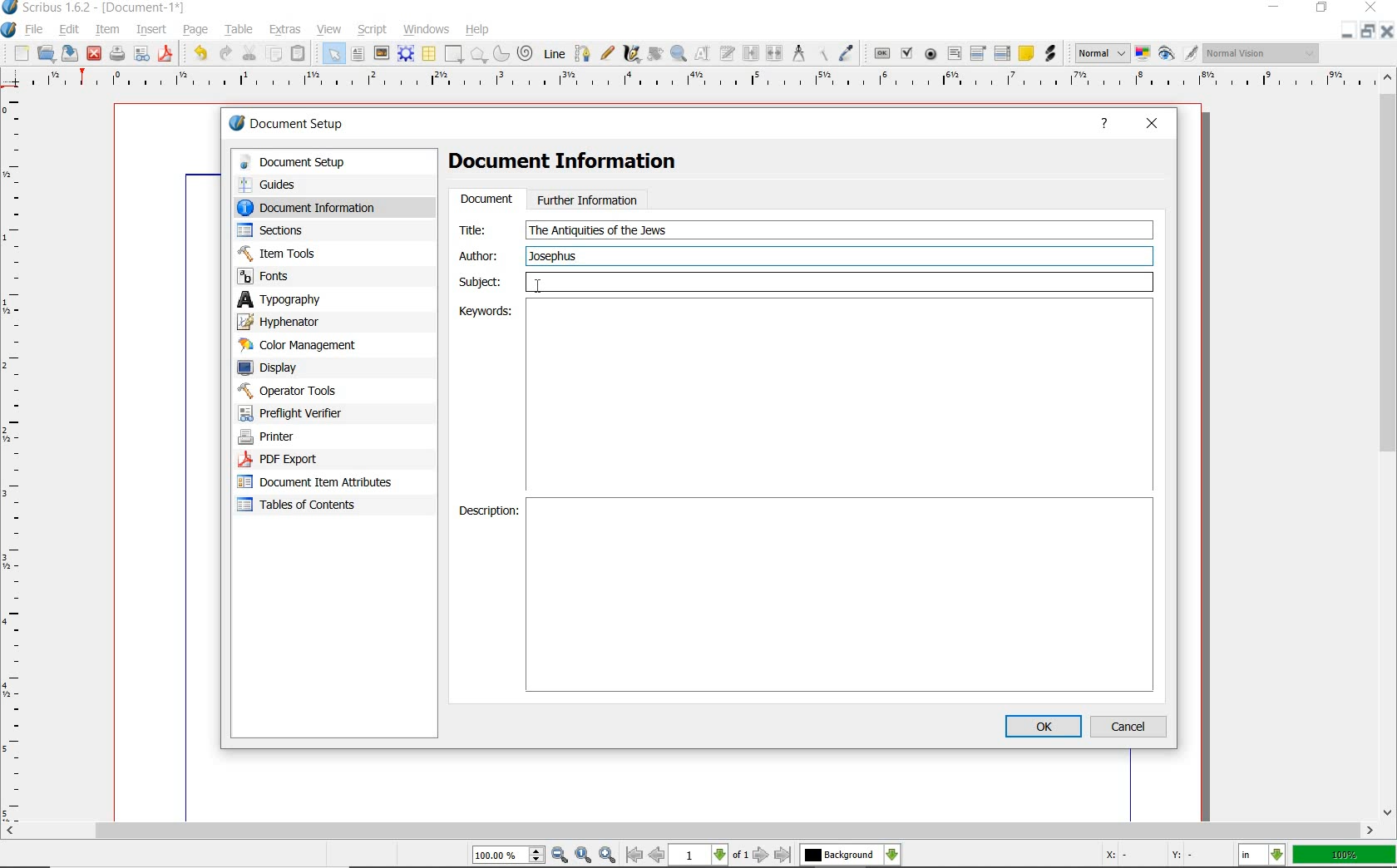 The height and width of the screenshot is (868, 1397). Describe the element at coordinates (1371, 7) in the screenshot. I see `close` at that location.